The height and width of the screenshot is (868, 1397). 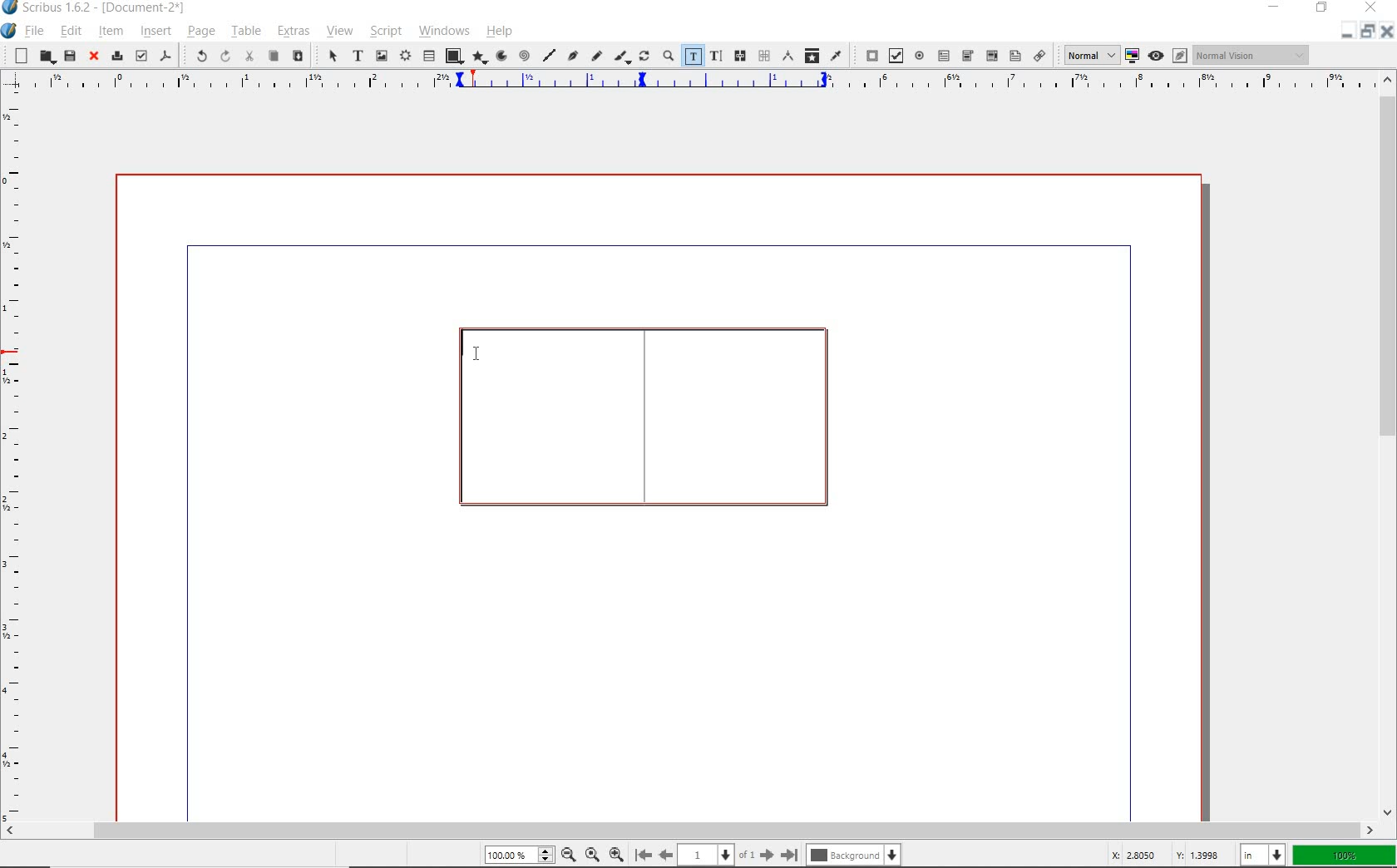 I want to click on select image preview quality, so click(x=1086, y=54).